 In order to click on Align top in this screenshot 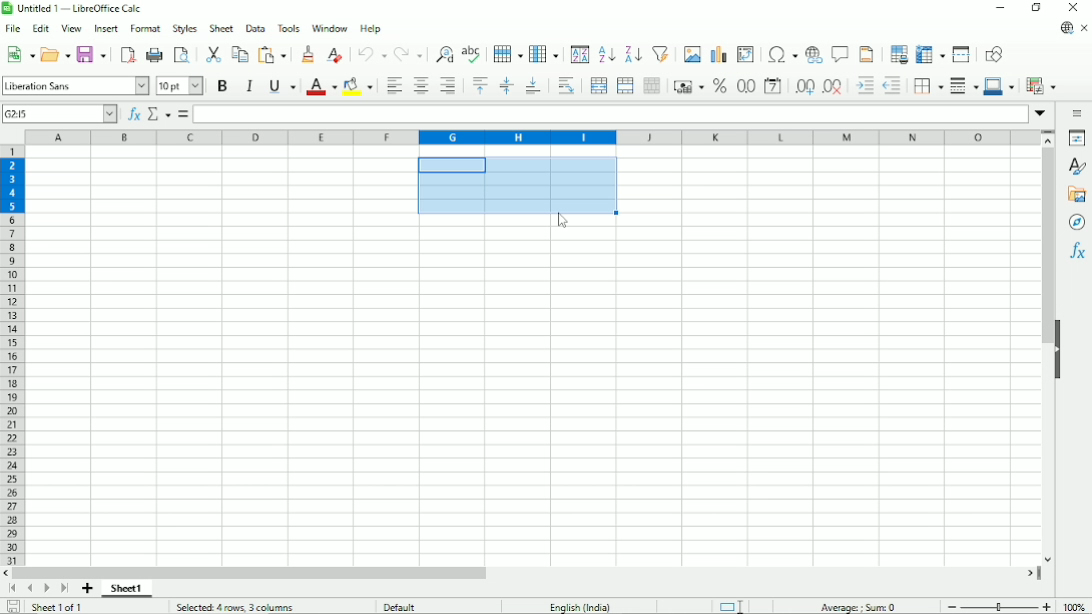, I will do `click(480, 86)`.